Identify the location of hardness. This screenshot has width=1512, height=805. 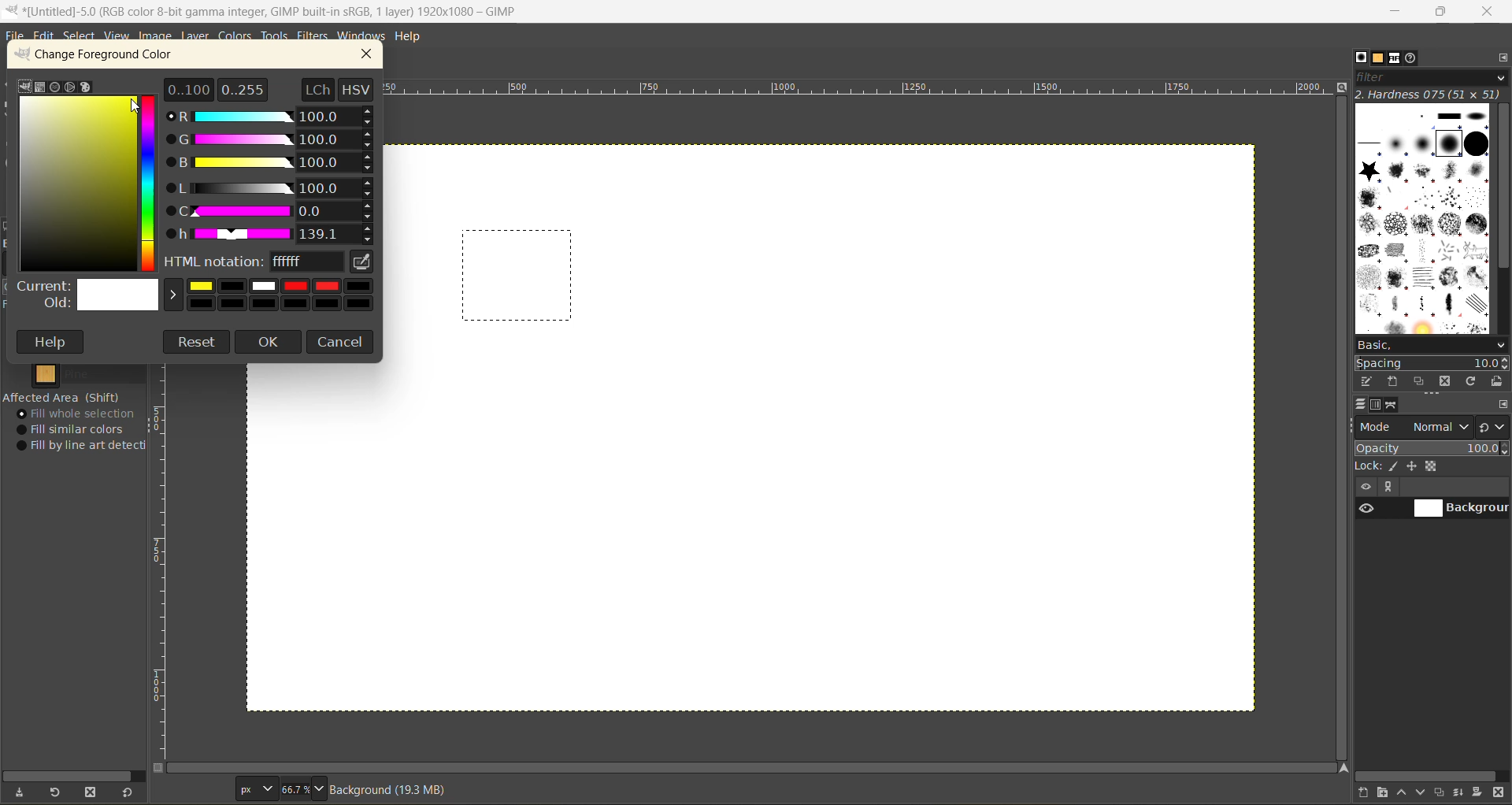
(1430, 95).